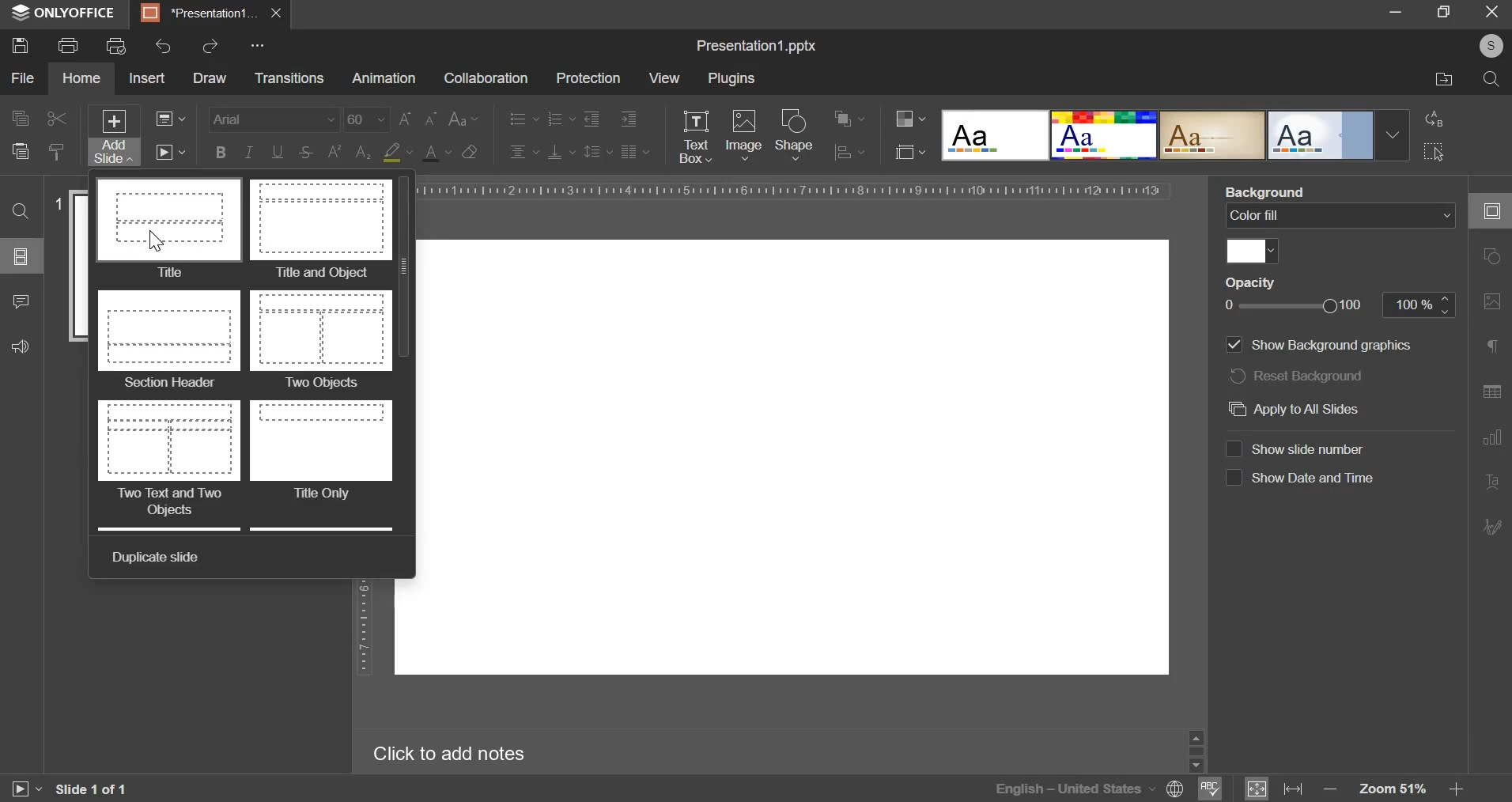  Describe the element at coordinates (320, 452) in the screenshot. I see `title only` at that location.